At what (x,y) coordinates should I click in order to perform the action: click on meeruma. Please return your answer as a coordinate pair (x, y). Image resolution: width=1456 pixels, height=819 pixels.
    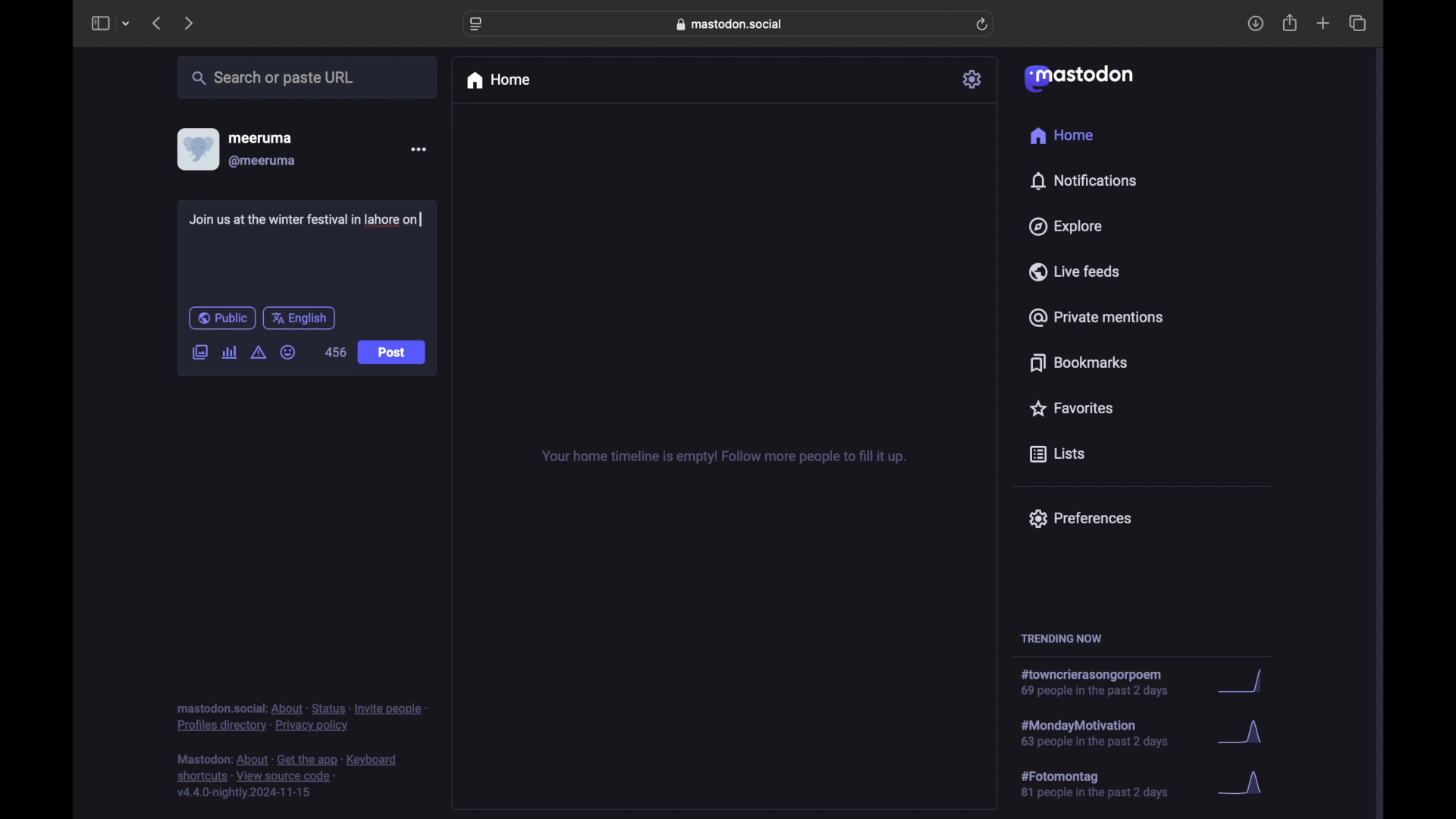
    Looking at the image, I should click on (260, 137).